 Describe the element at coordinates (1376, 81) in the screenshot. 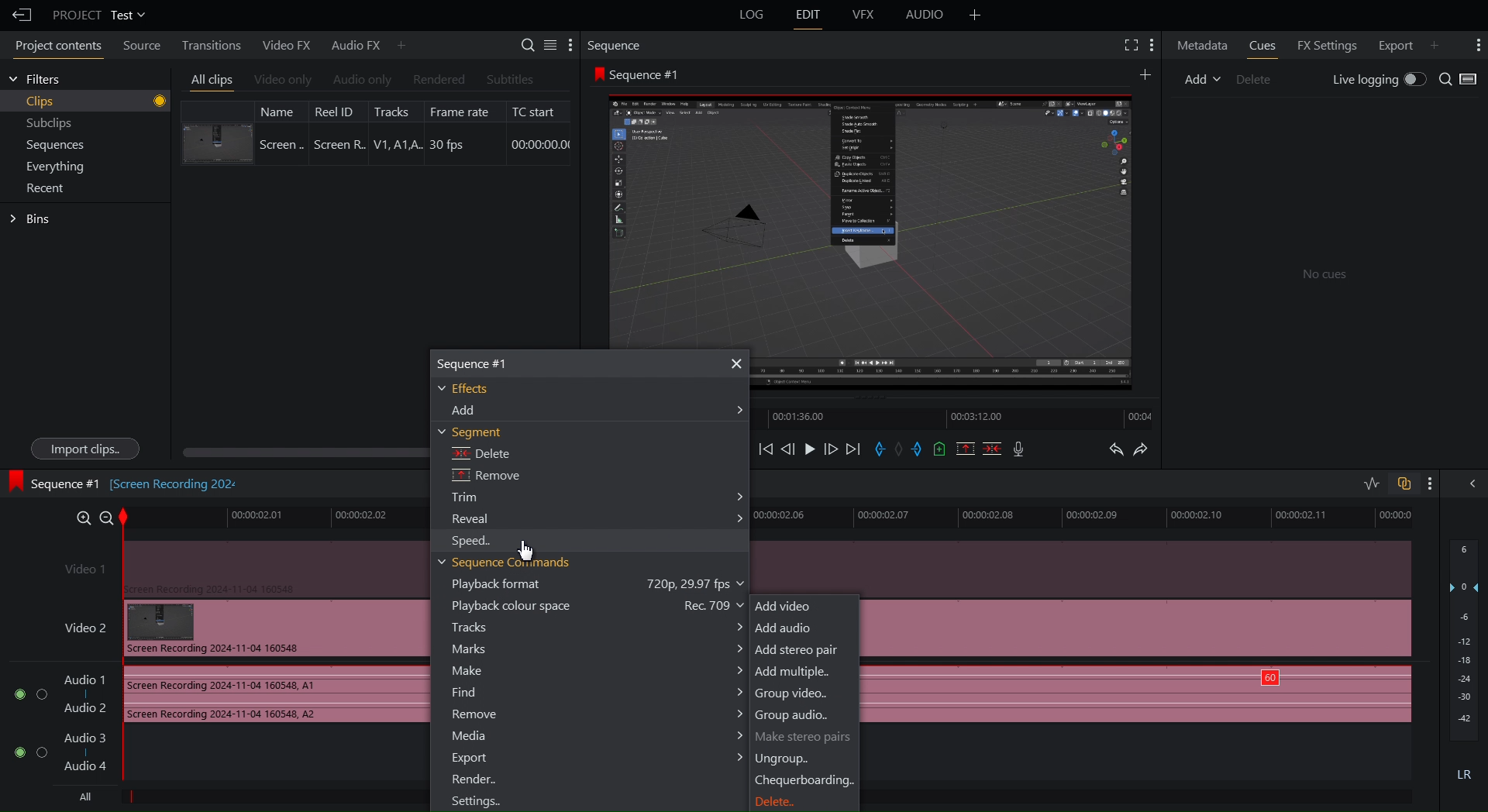

I see `Live Logging` at that location.